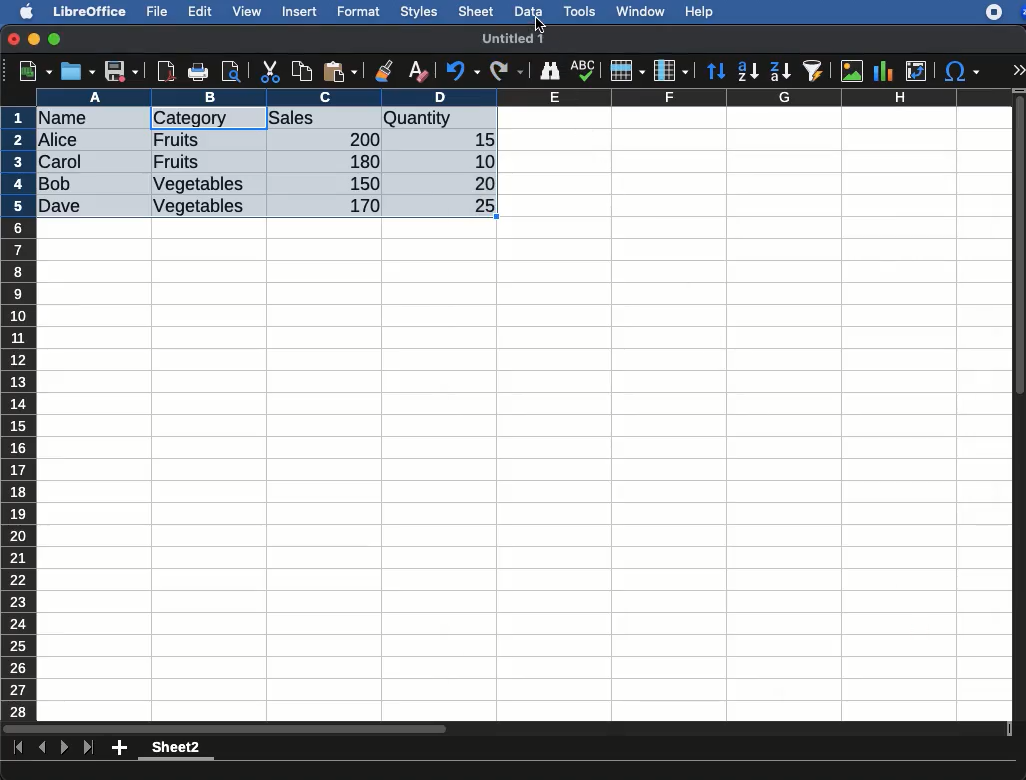 This screenshot has height=780, width=1026. I want to click on Vegetables, so click(200, 185).